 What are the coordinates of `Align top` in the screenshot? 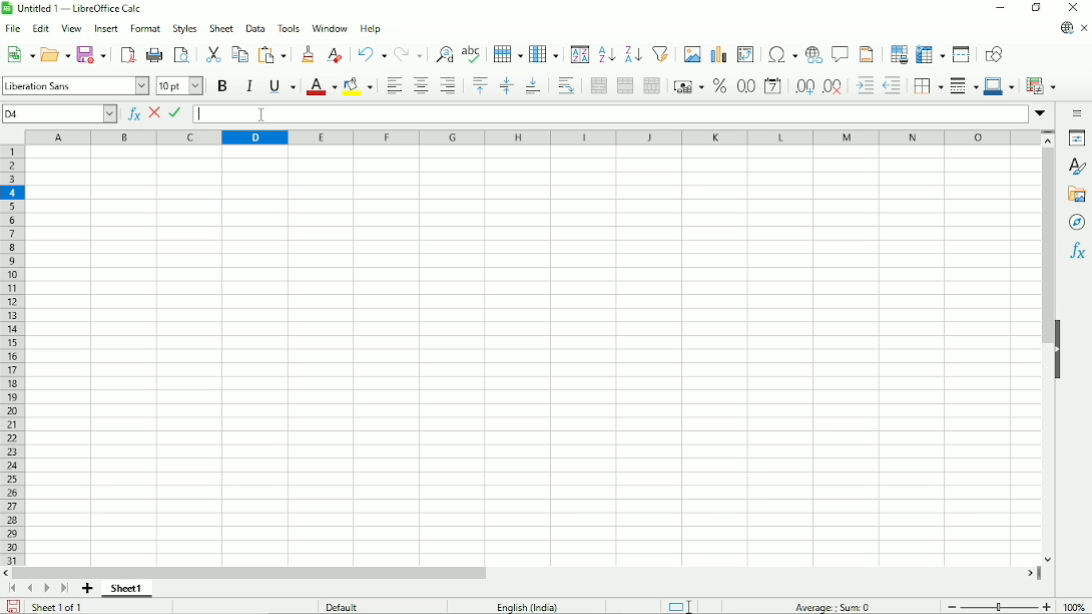 It's located at (481, 86).